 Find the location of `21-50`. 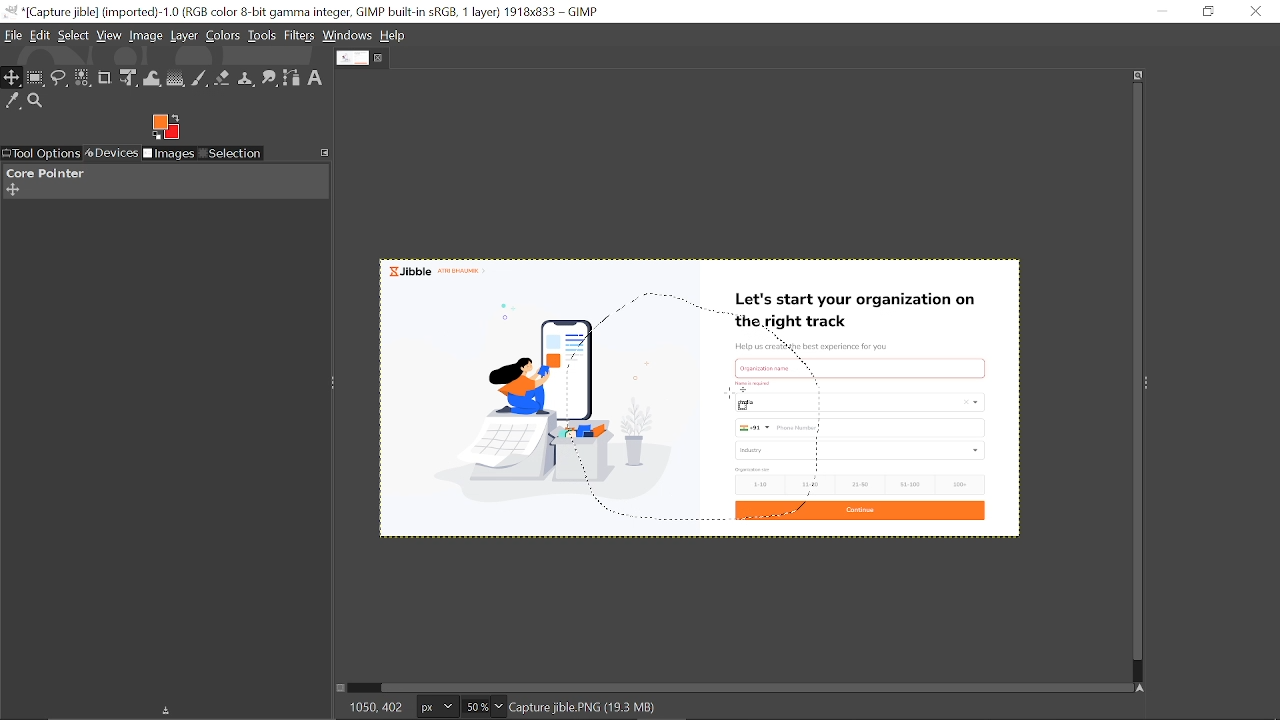

21-50 is located at coordinates (862, 484).